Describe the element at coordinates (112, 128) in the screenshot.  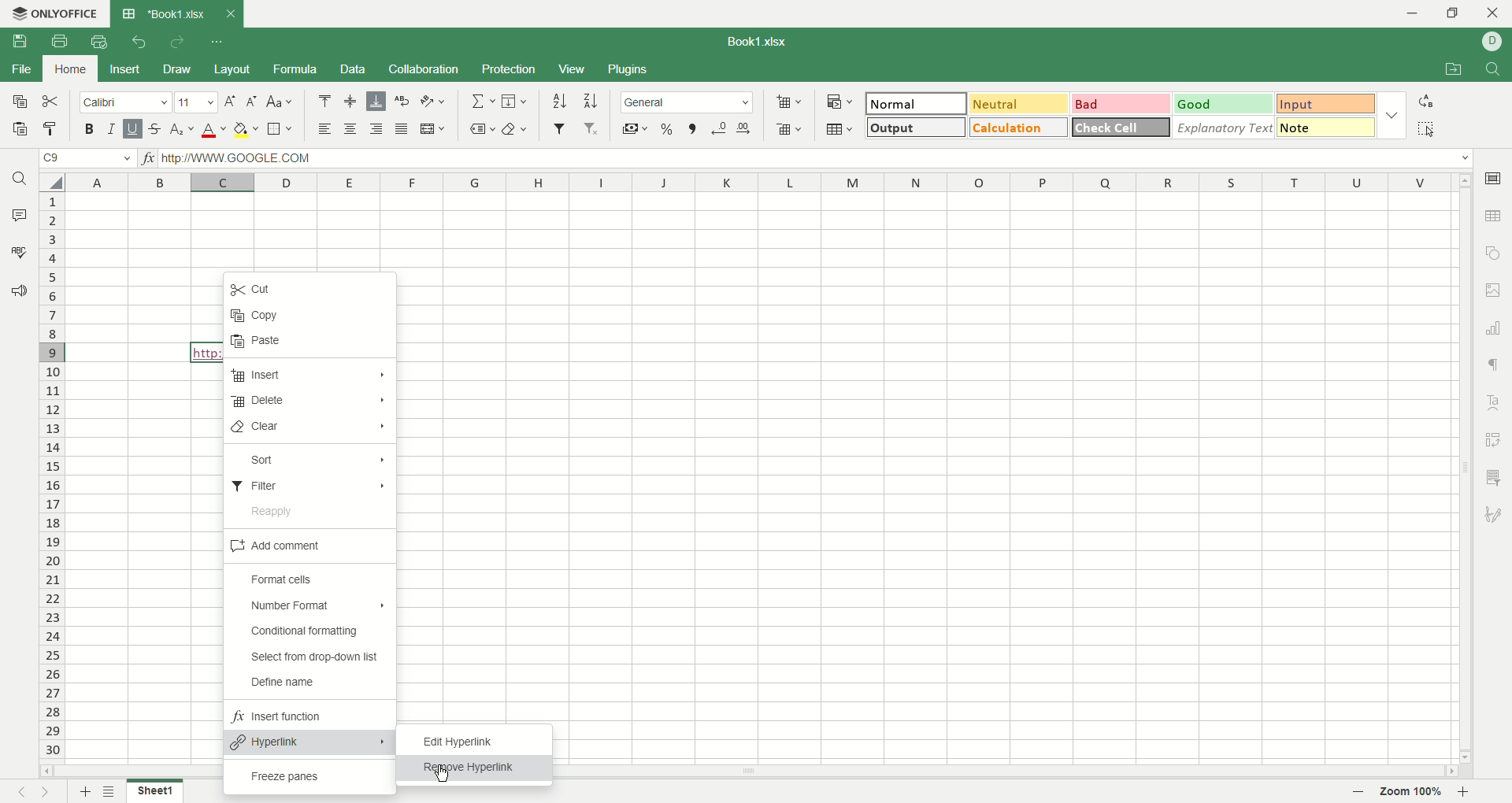
I see `italic` at that location.